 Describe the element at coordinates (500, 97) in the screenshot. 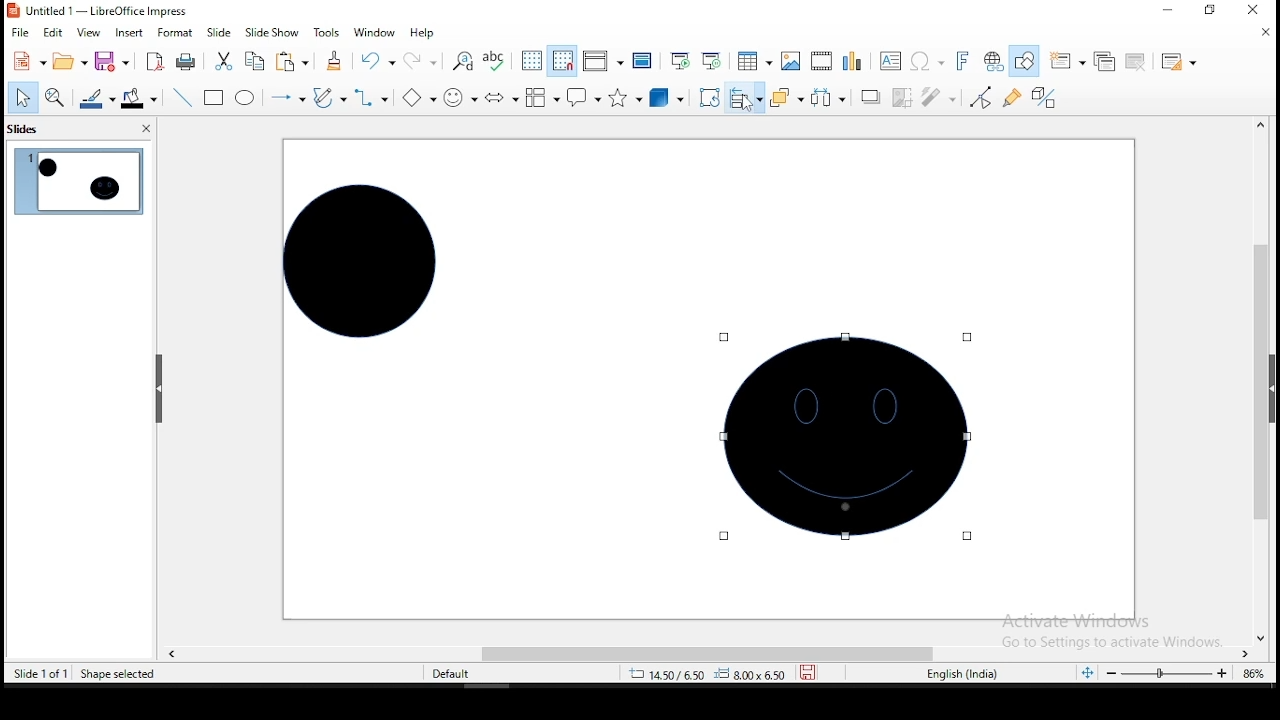

I see `block arrows` at that location.